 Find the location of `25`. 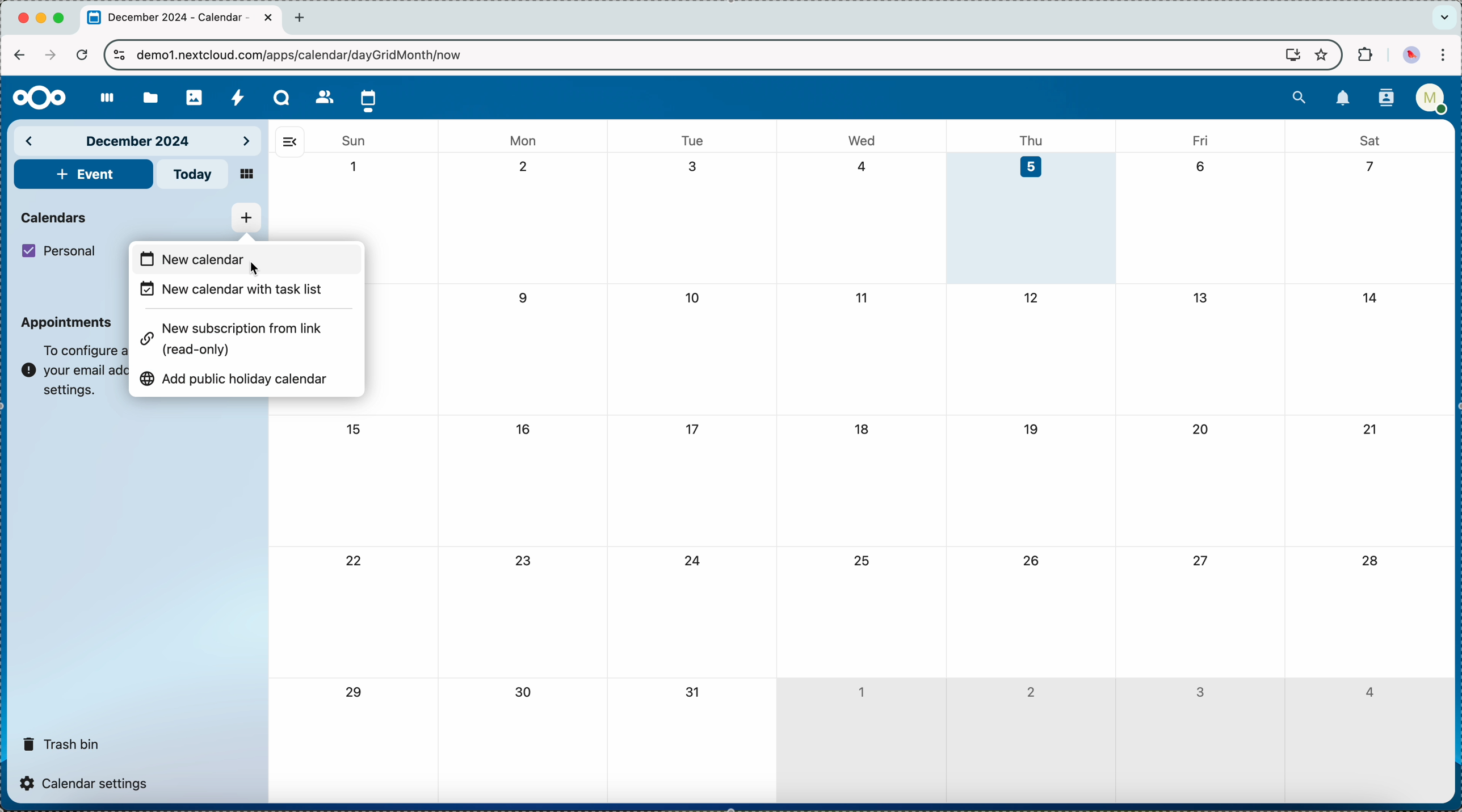

25 is located at coordinates (860, 560).